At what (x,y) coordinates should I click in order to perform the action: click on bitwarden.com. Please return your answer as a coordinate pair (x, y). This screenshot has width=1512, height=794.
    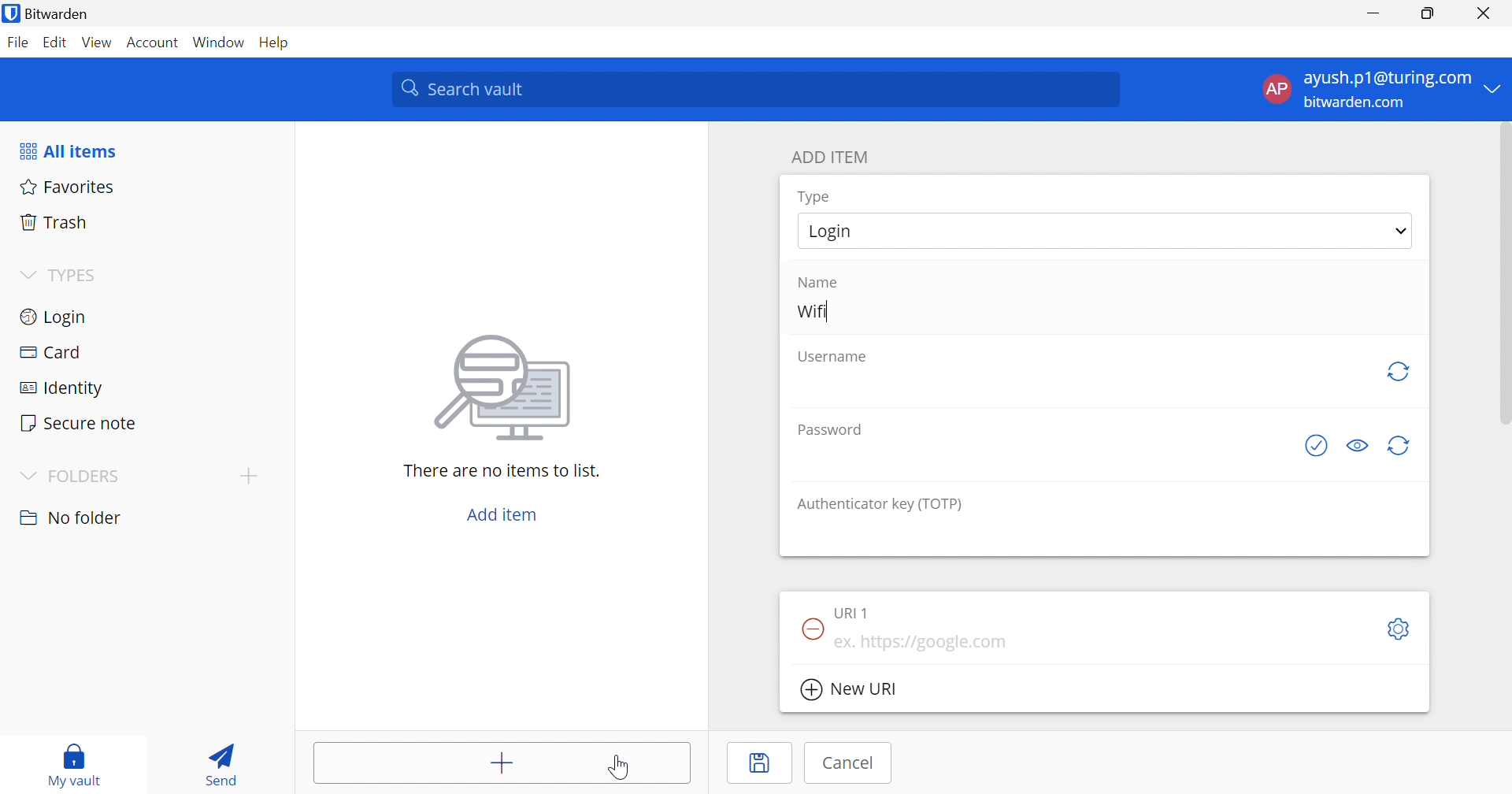
    Looking at the image, I should click on (1358, 103).